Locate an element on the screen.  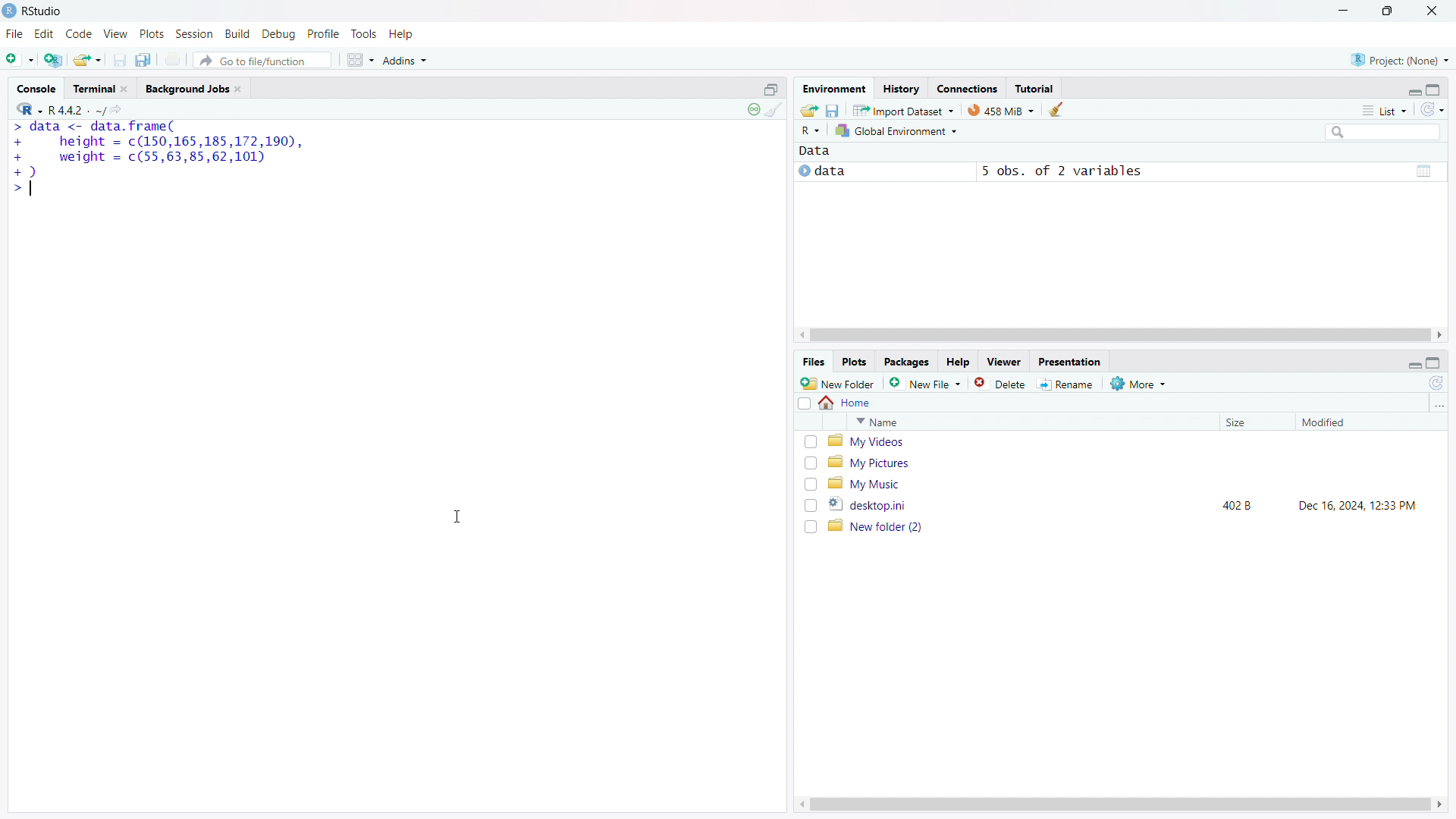
load workspace is located at coordinates (809, 109).